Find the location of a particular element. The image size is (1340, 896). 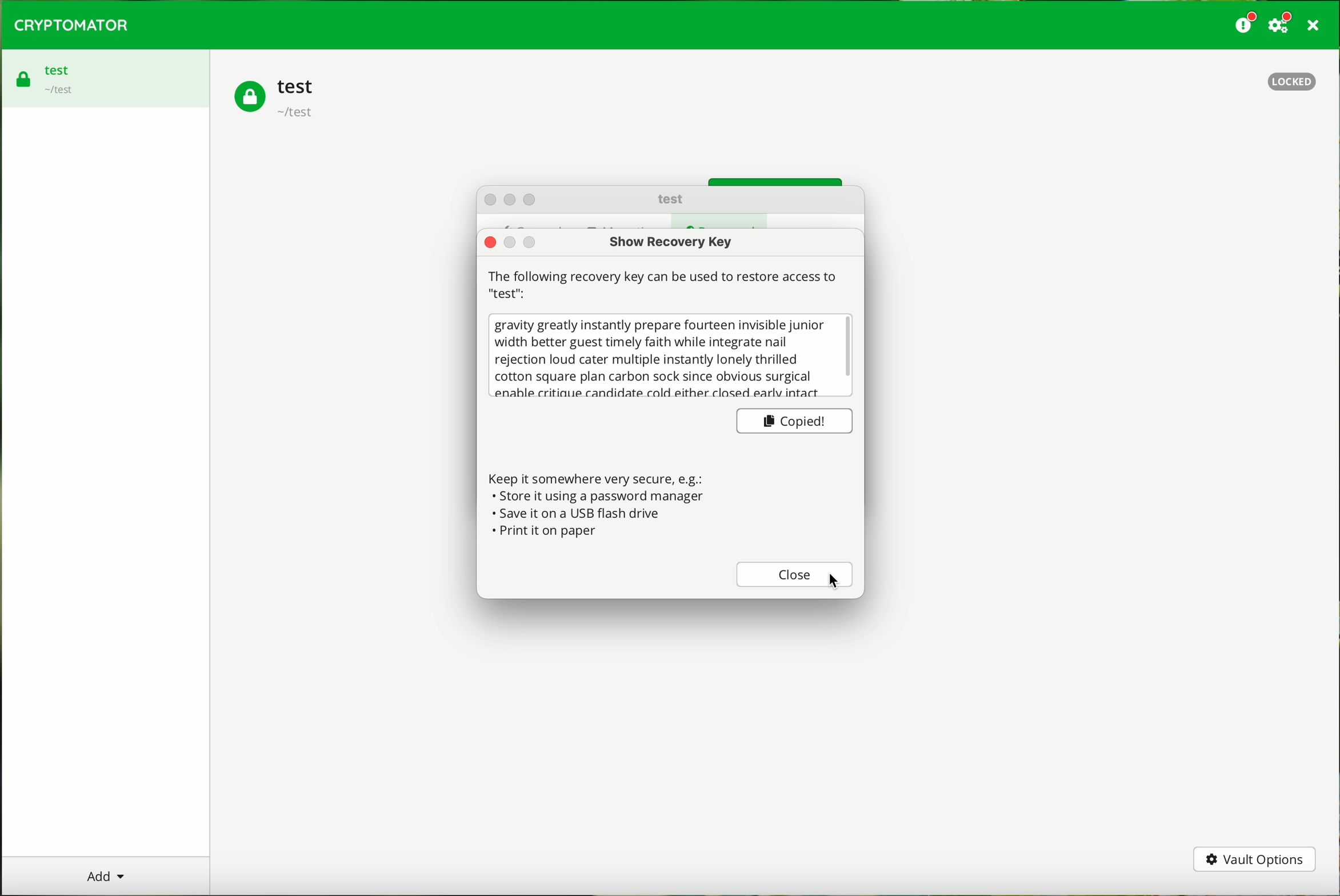

action buttons is located at coordinates (511, 196).